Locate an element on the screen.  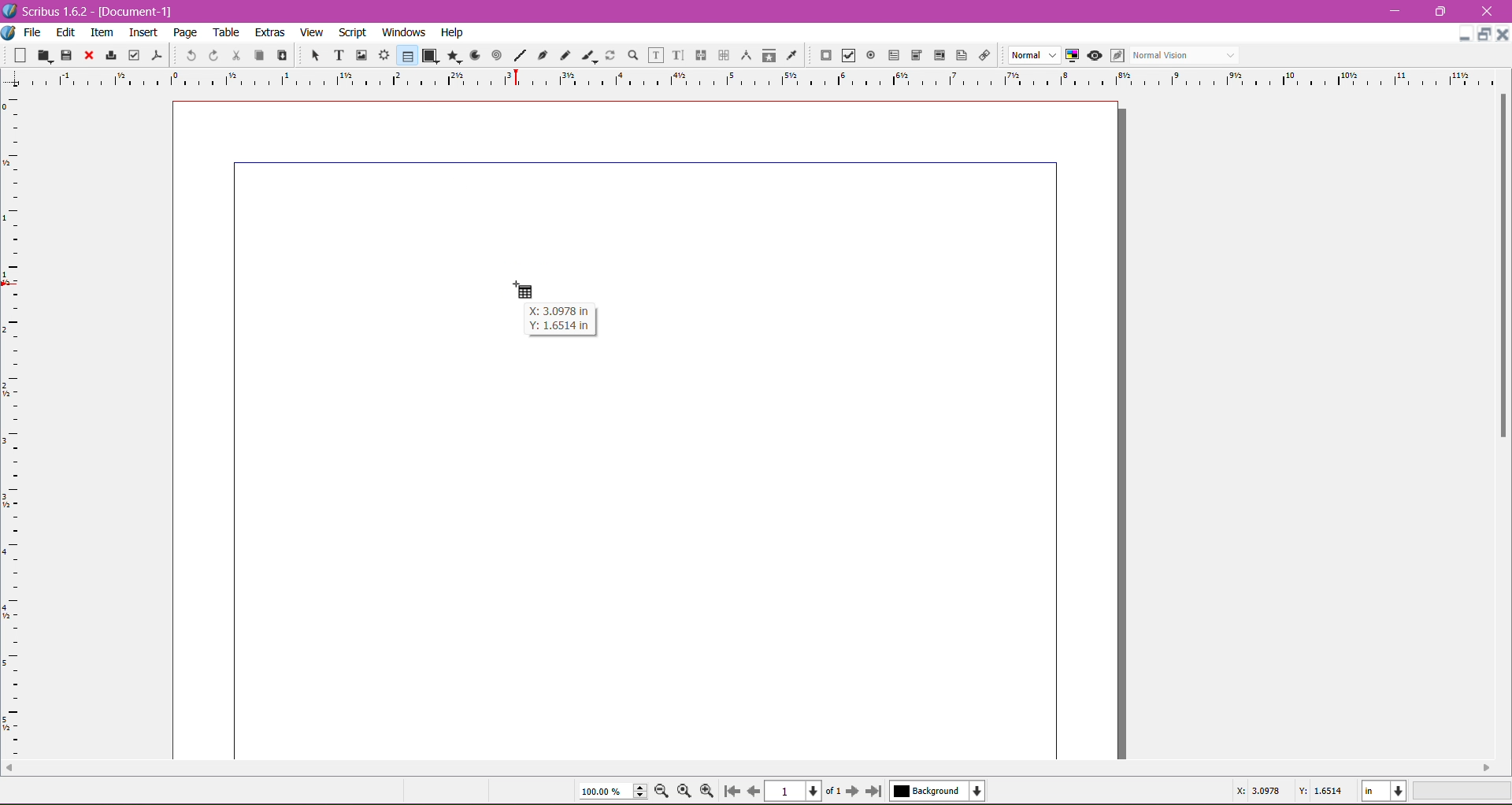
PDF Push button is located at coordinates (824, 56).